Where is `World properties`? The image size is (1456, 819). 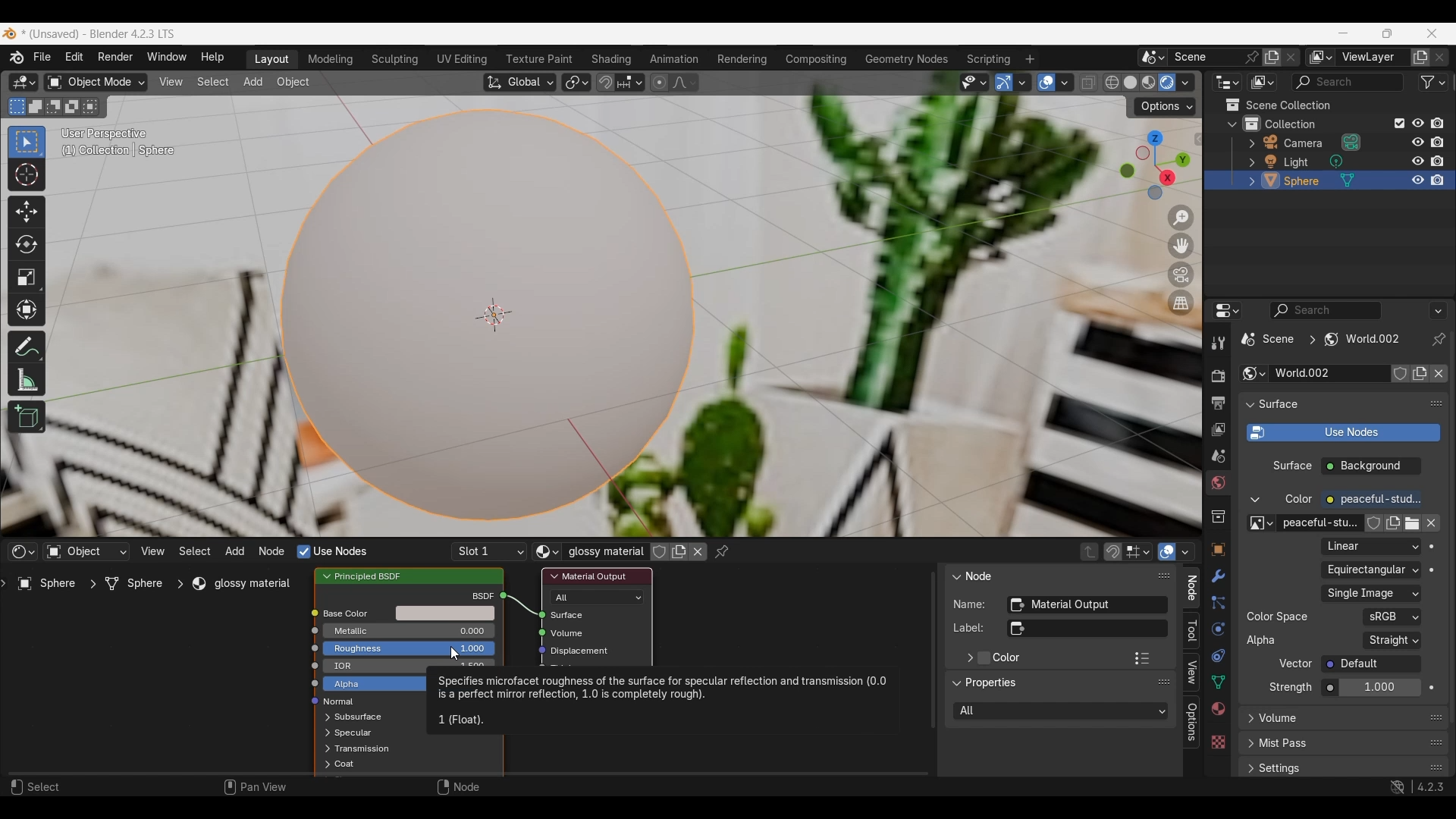 World properties is located at coordinates (1218, 483).